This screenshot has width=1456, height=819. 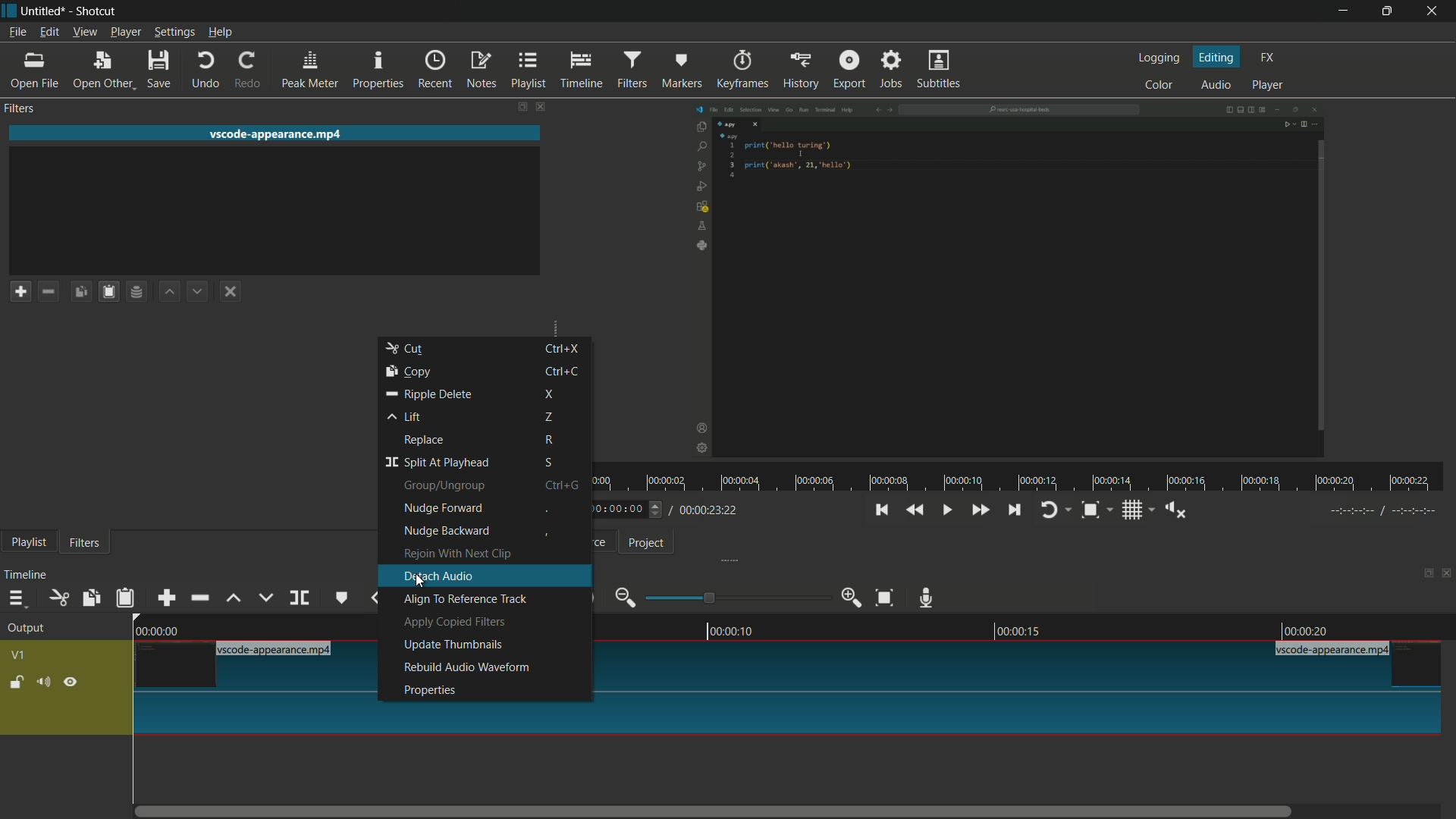 I want to click on properties, so click(x=379, y=71).